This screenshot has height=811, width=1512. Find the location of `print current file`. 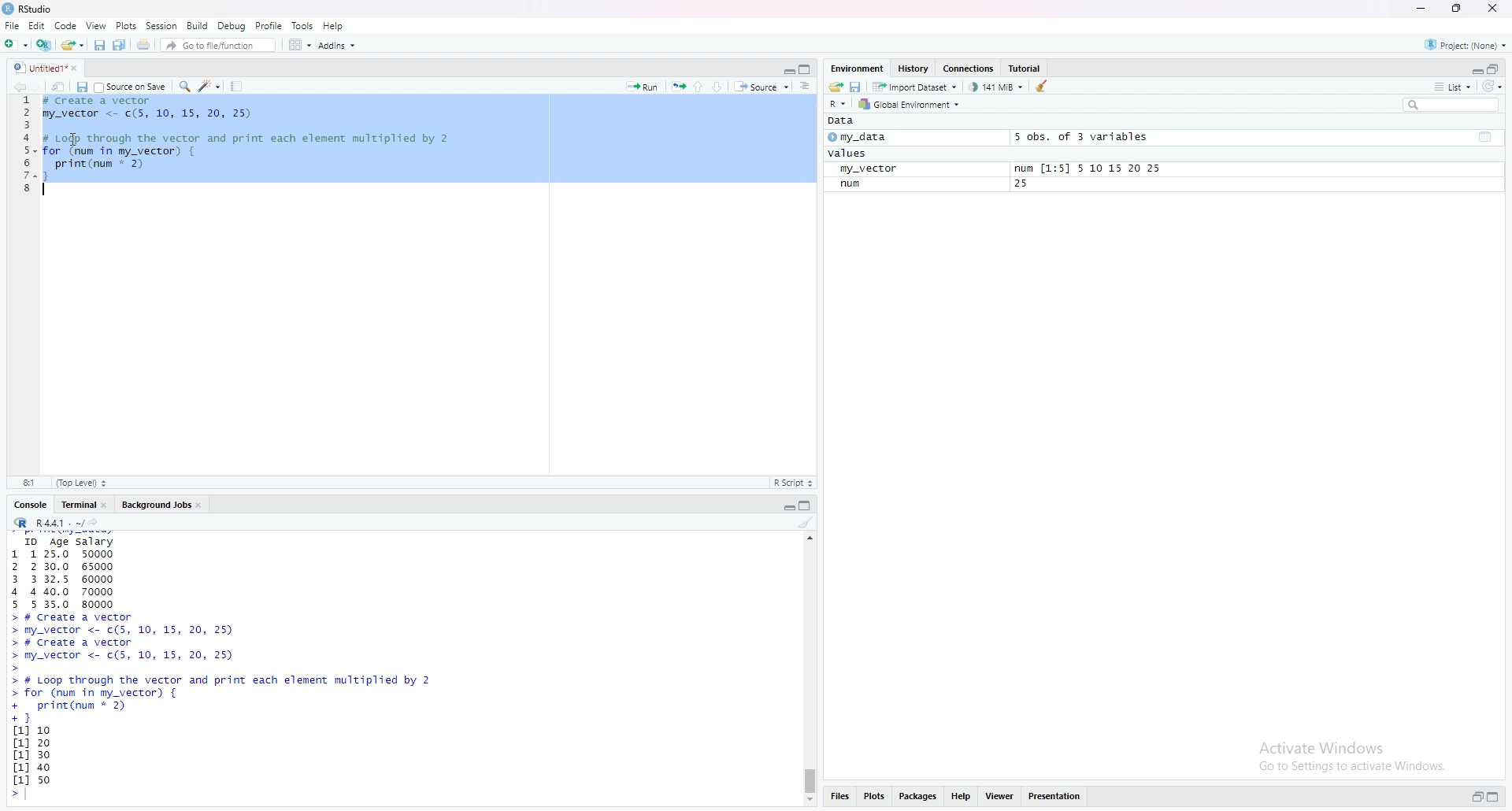

print current file is located at coordinates (144, 46).